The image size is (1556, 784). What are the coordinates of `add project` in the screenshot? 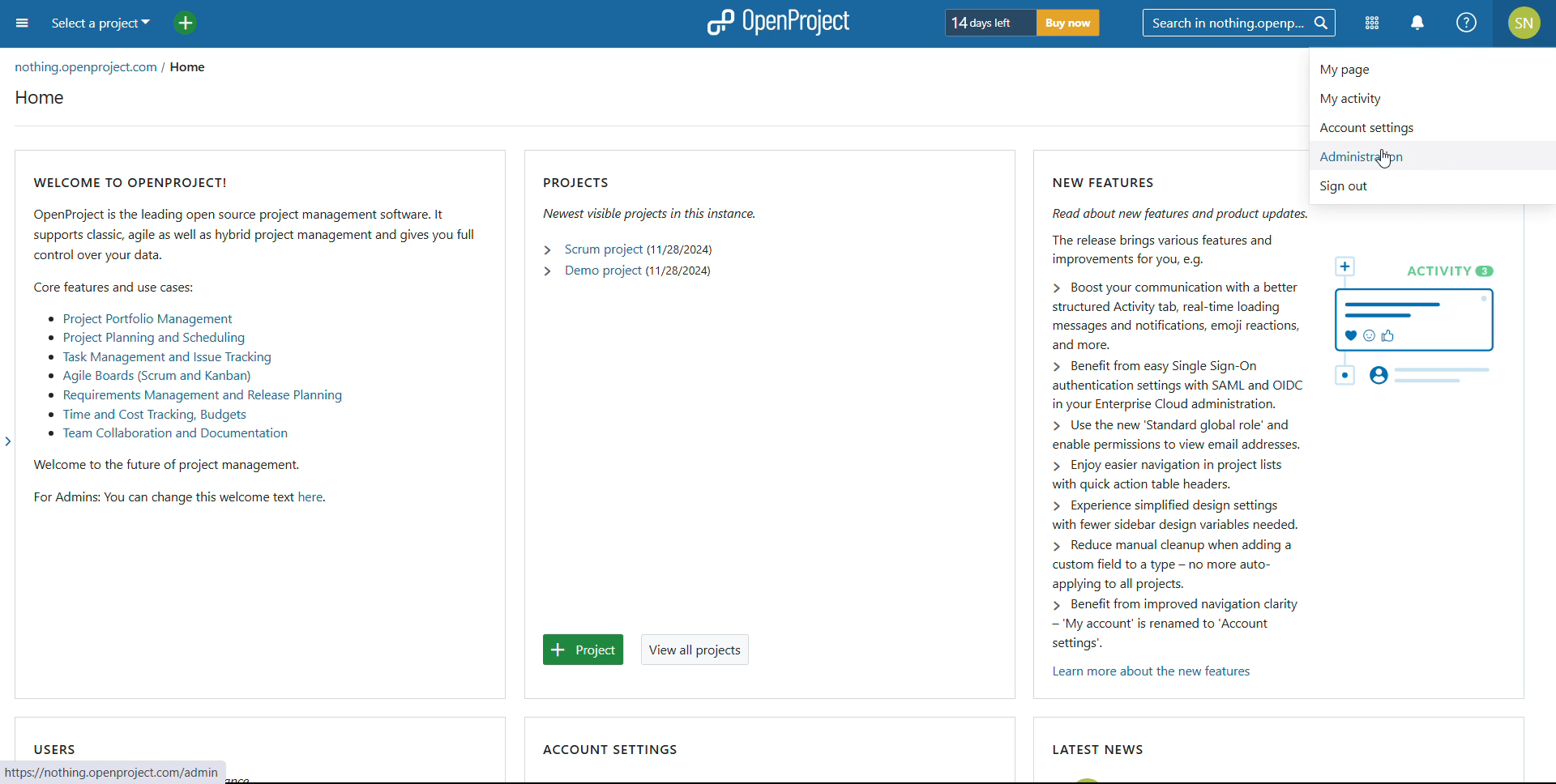 It's located at (186, 23).